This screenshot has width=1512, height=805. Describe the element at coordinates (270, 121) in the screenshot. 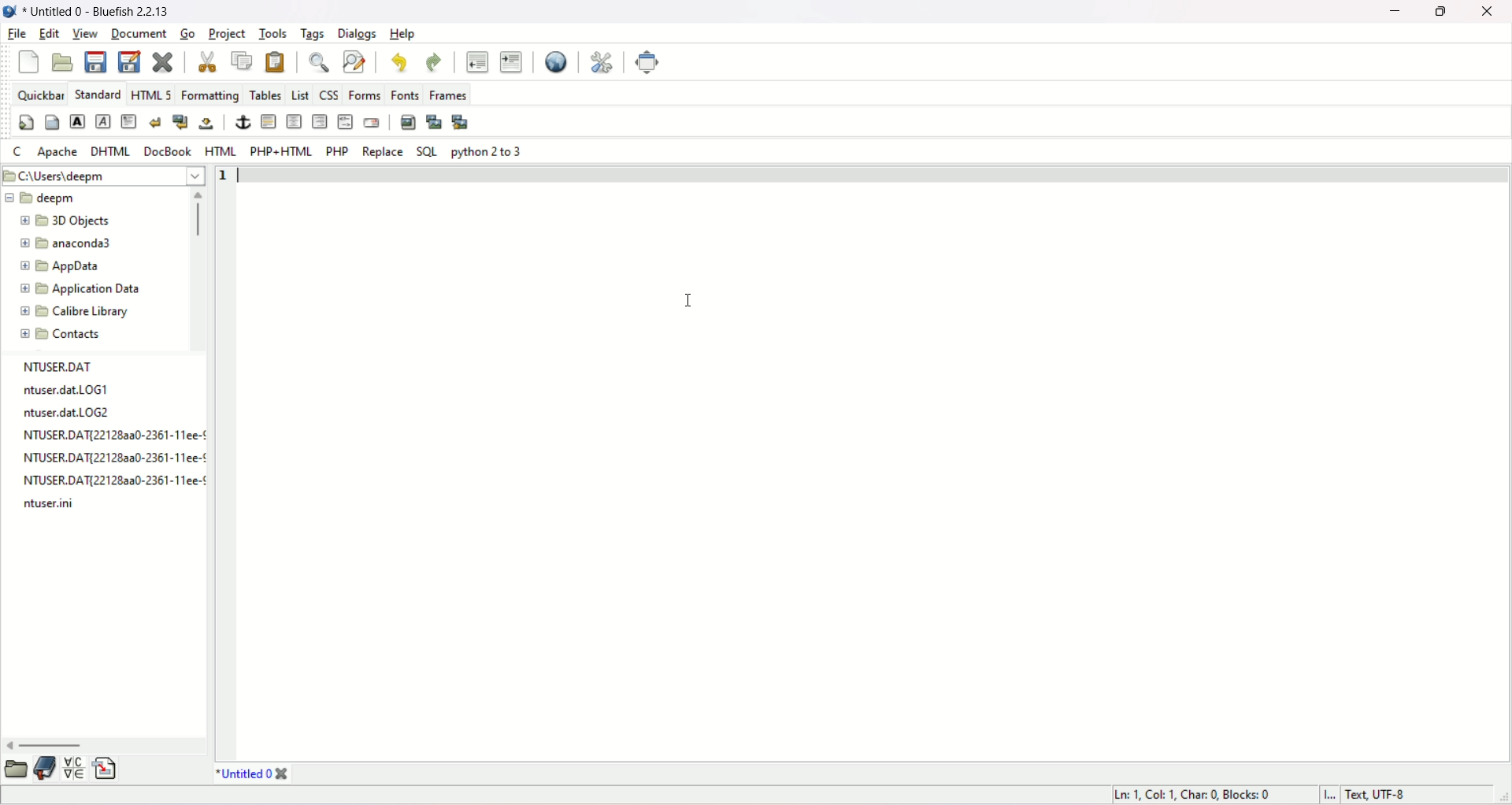

I see `horizontal rule` at that location.